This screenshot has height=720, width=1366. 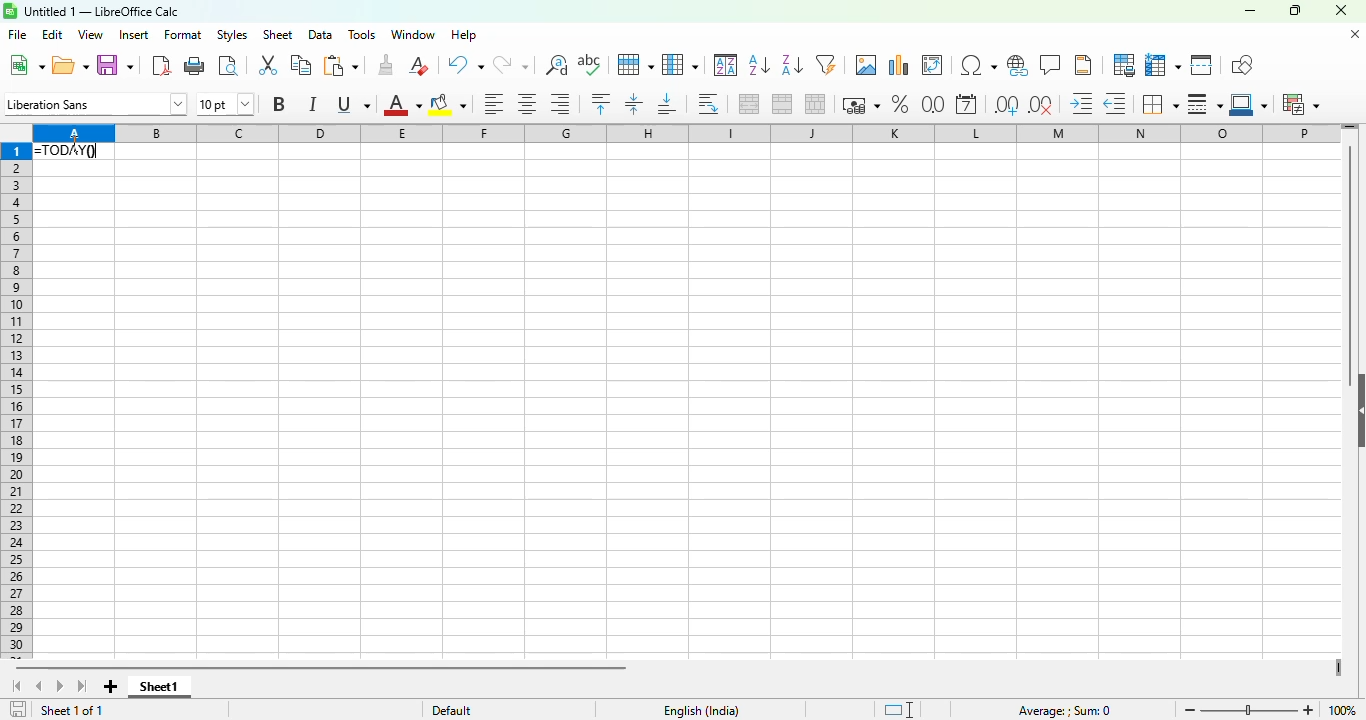 I want to click on insert hyperlink, so click(x=1019, y=65).